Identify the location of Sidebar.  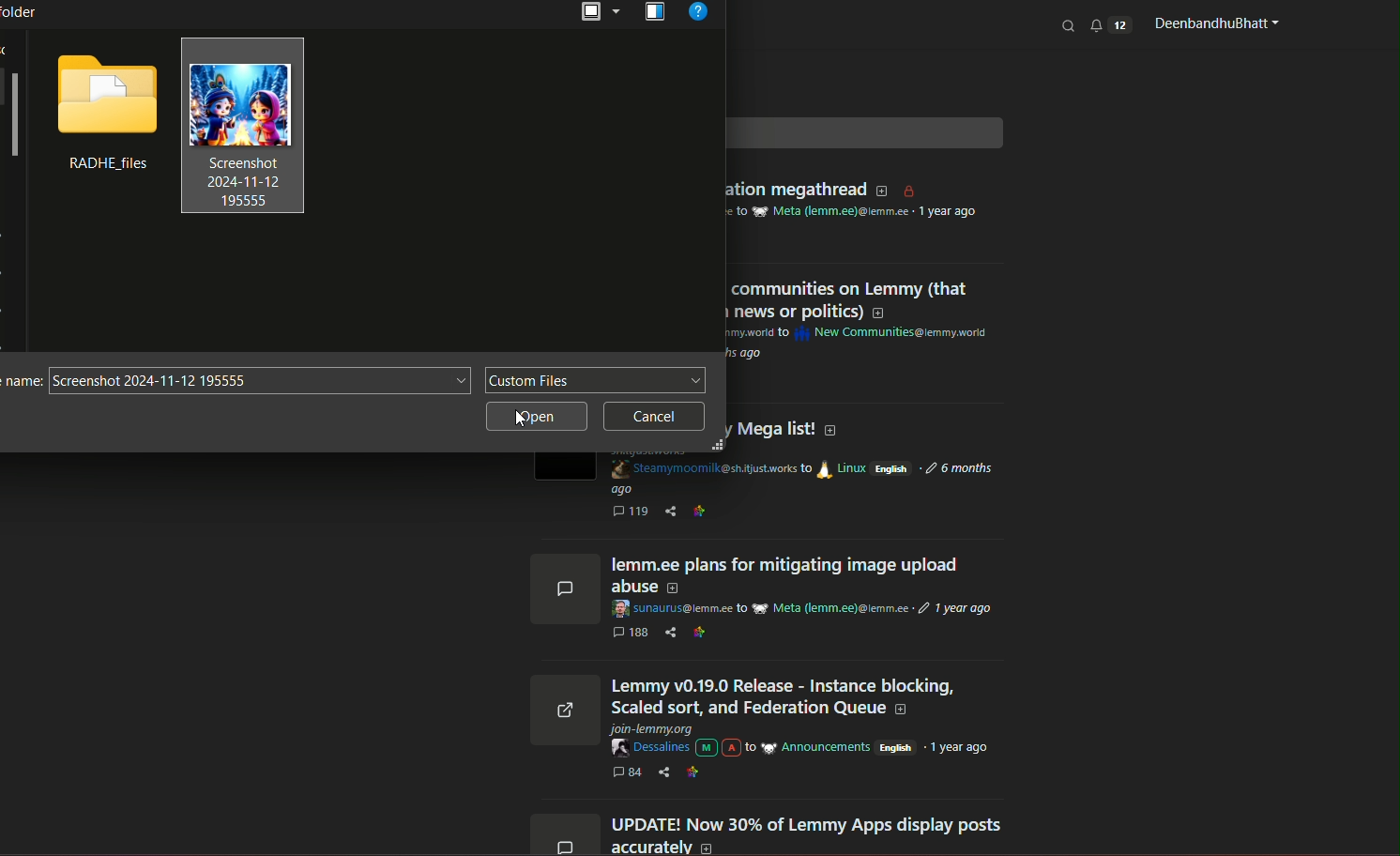
(14, 118).